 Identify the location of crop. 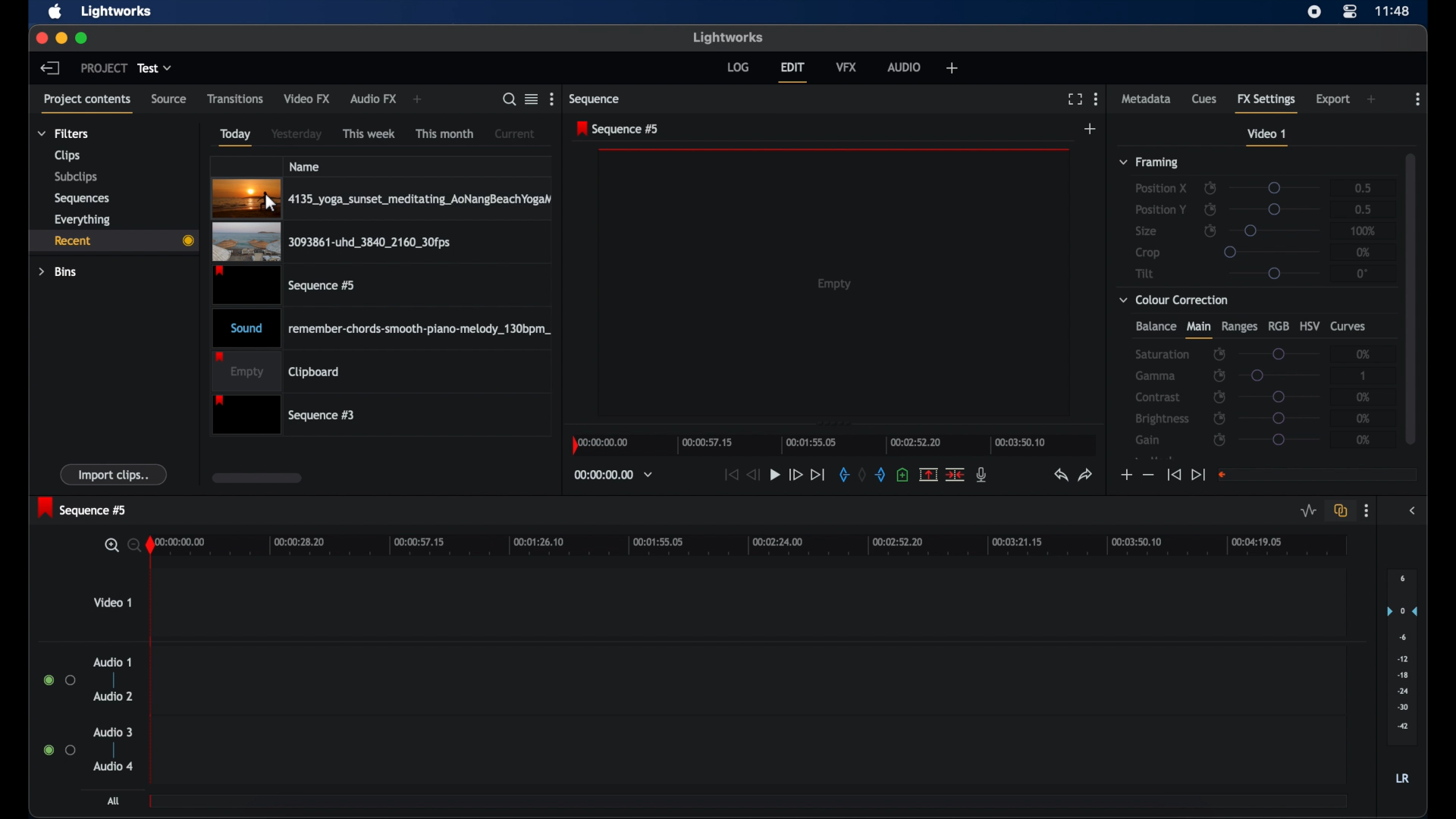
(1148, 253).